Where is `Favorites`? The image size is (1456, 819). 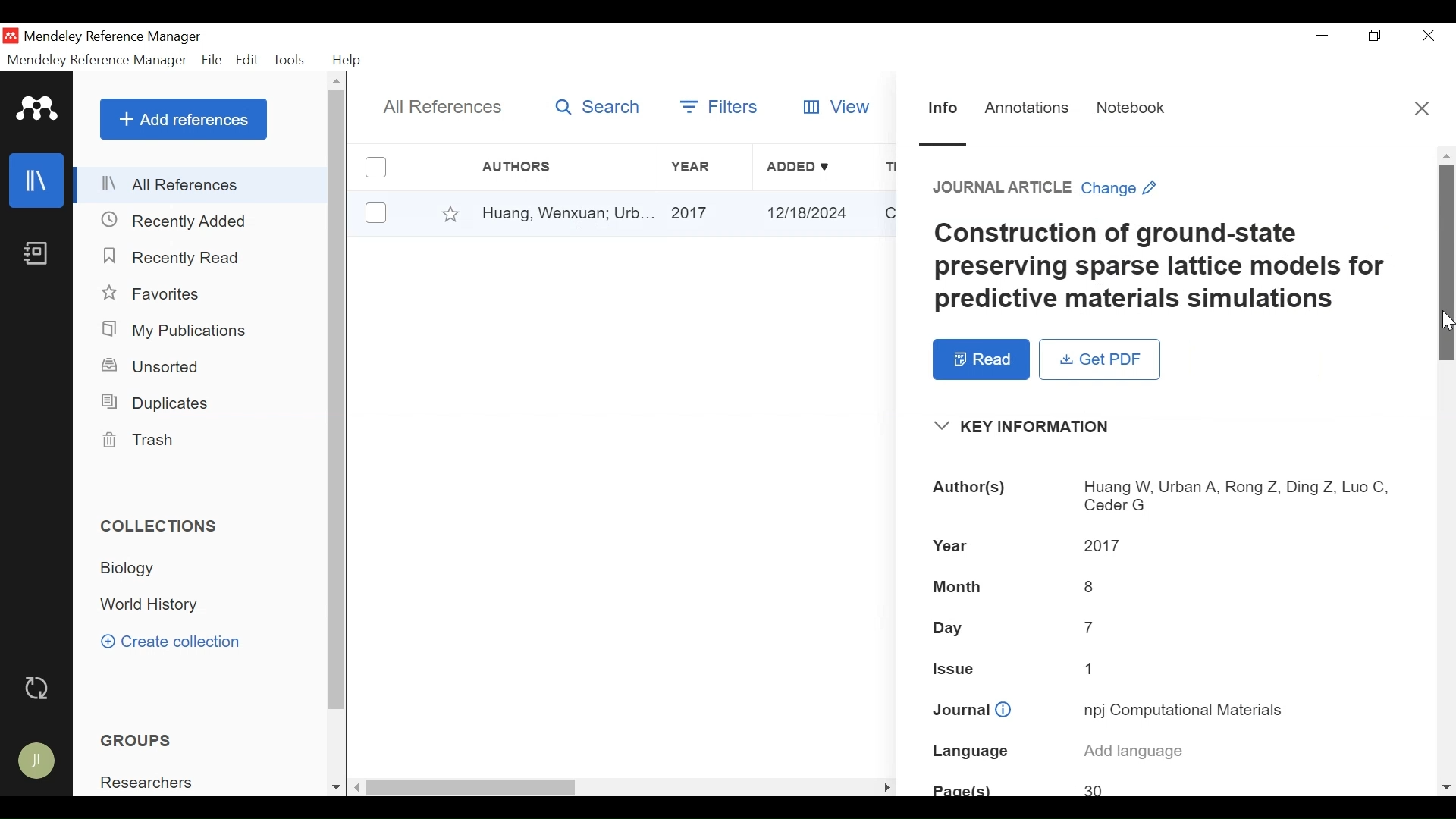 Favorites is located at coordinates (155, 294).